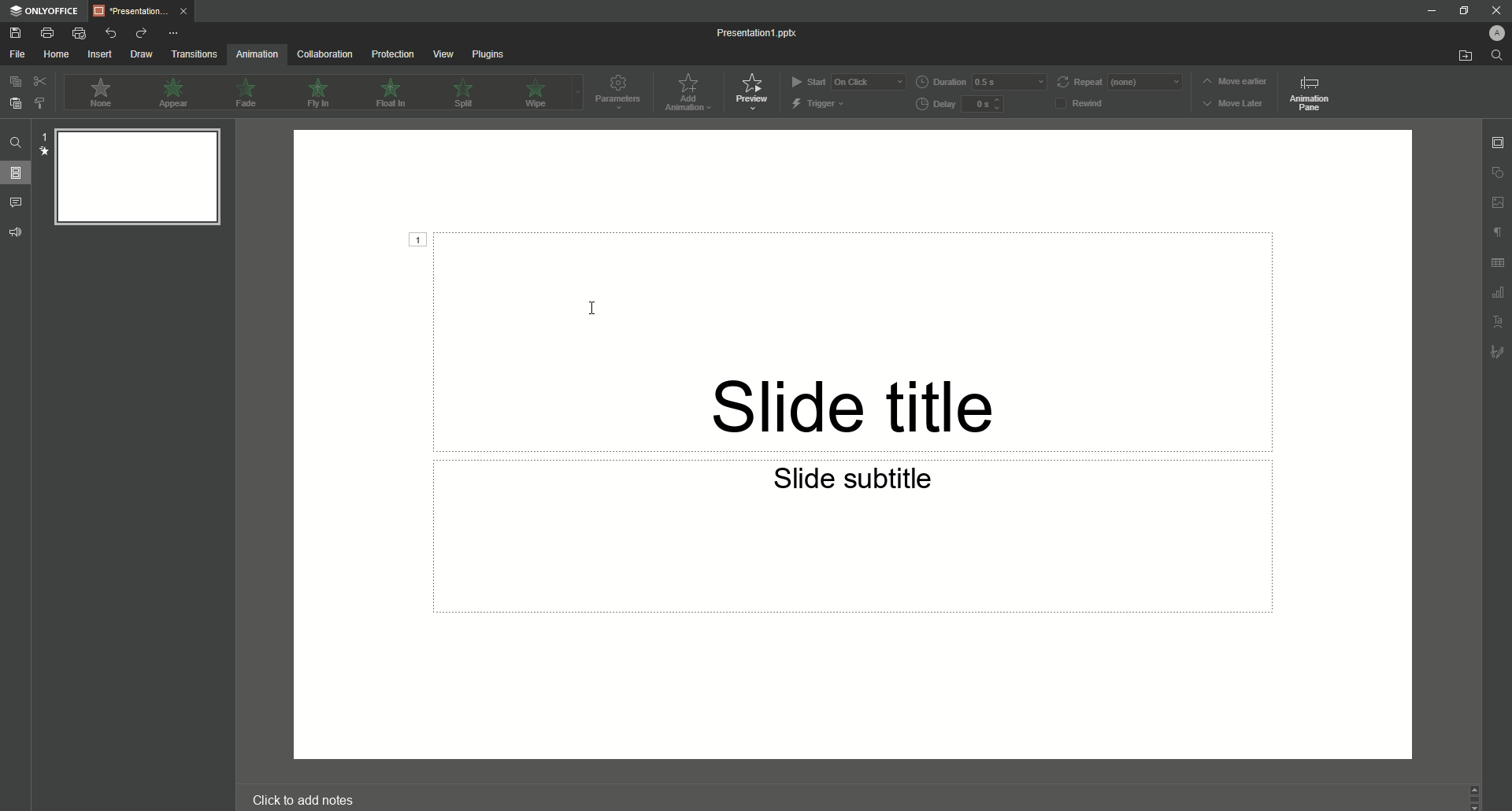  What do you see at coordinates (16, 231) in the screenshot?
I see `Feedback` at bounding box center [16, 231].